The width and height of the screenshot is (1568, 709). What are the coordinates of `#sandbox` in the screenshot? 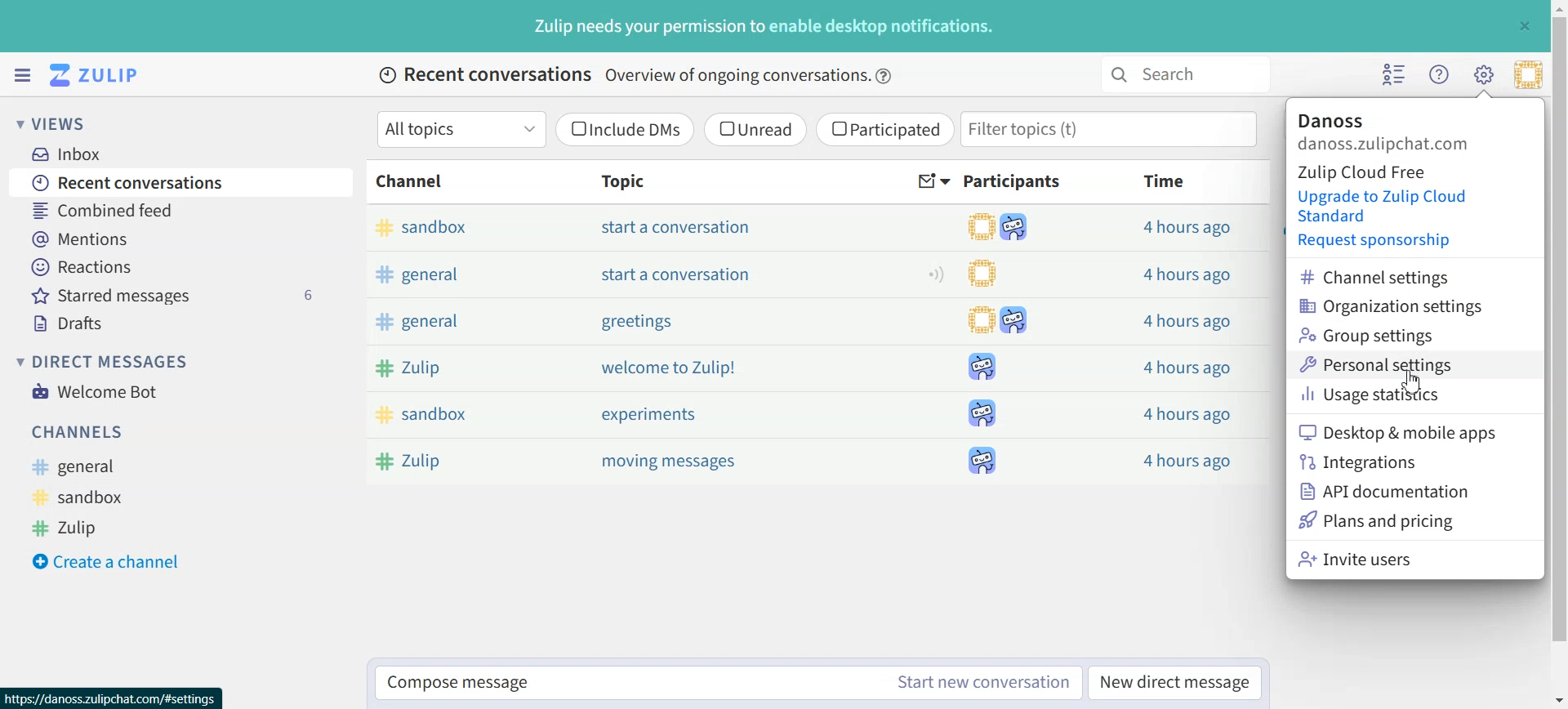 It's located at (461, 230).